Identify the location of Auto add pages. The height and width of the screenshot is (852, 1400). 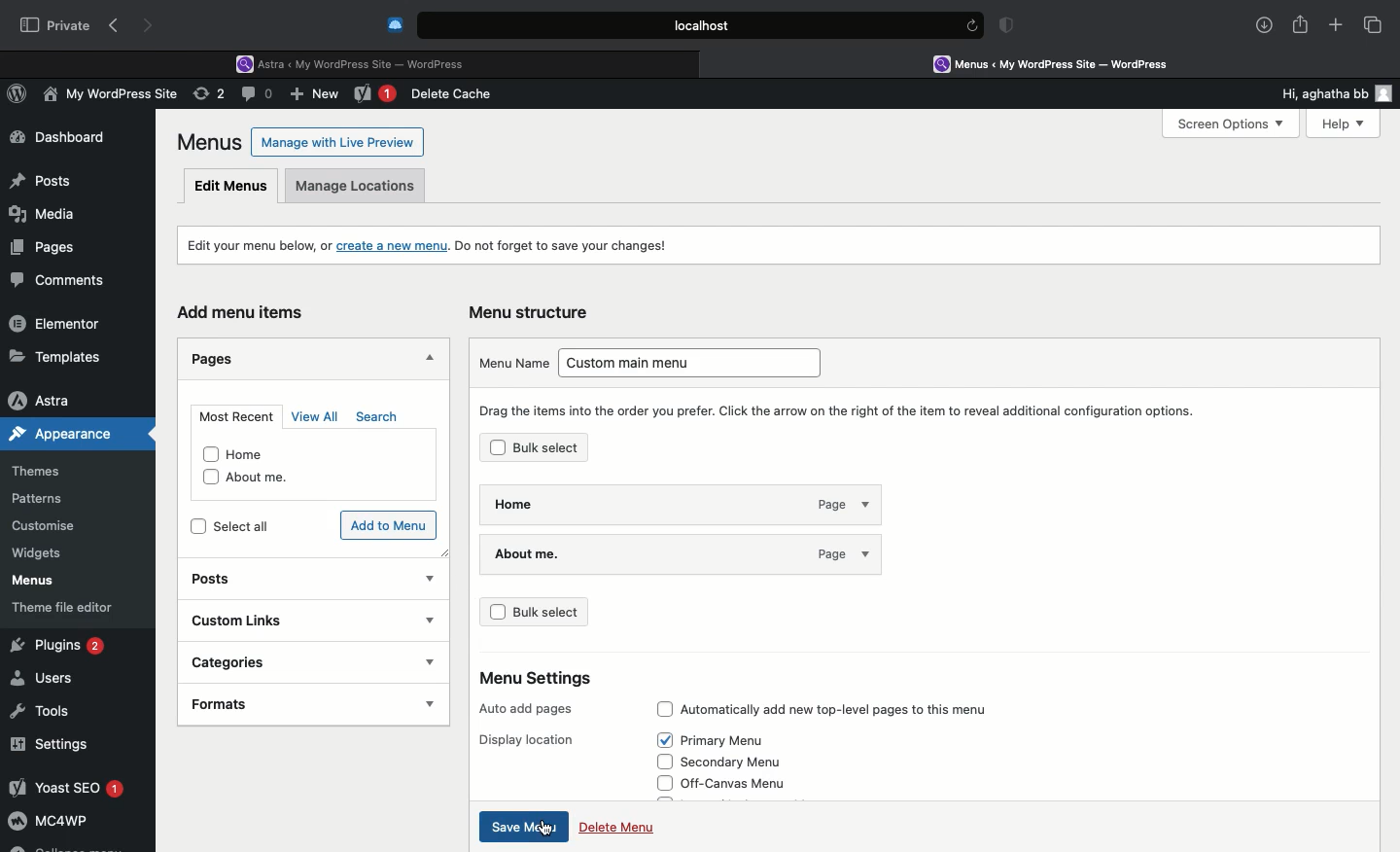
(530, 709).